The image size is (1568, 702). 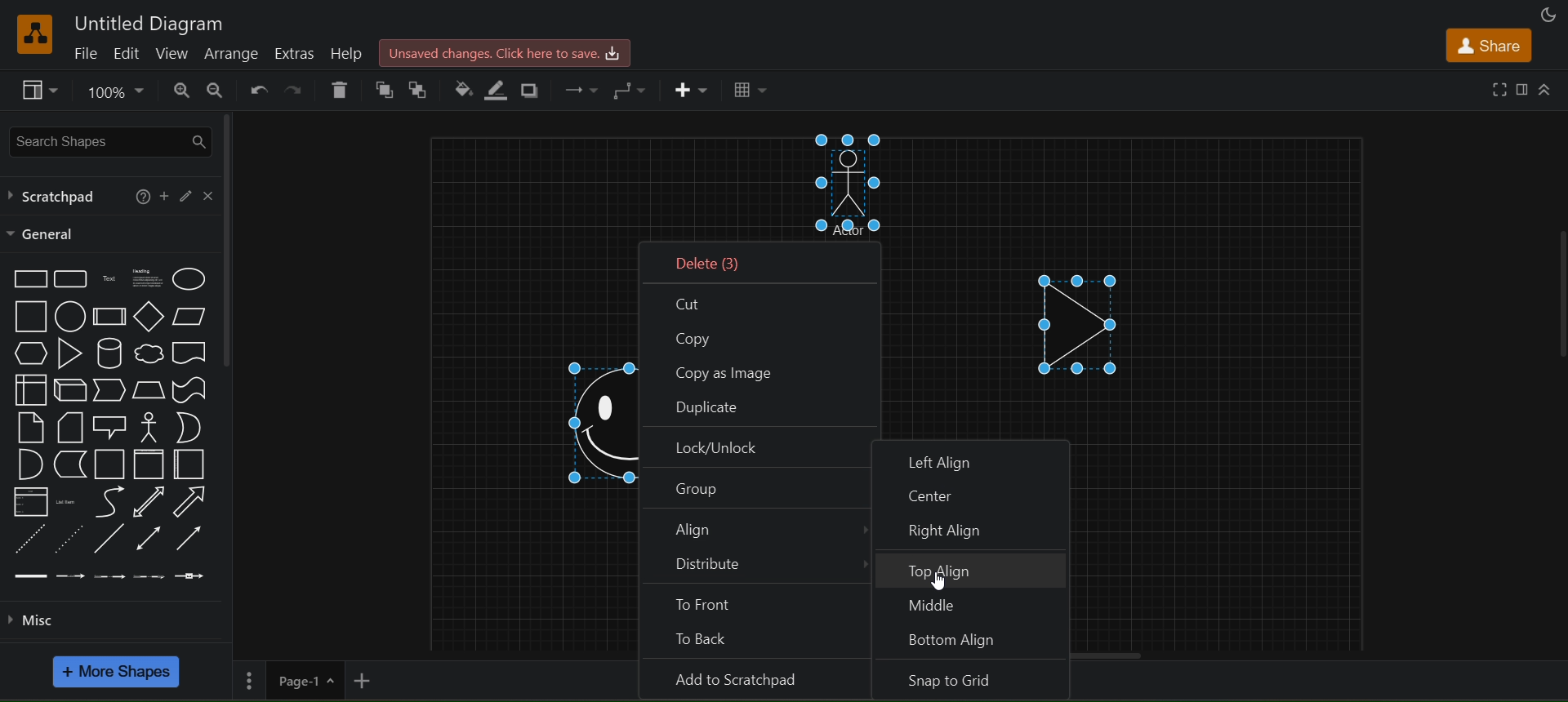 What do you see at coordinates (973, 491) in the screenshot?
I see `center` at bounding box center [973, 491].